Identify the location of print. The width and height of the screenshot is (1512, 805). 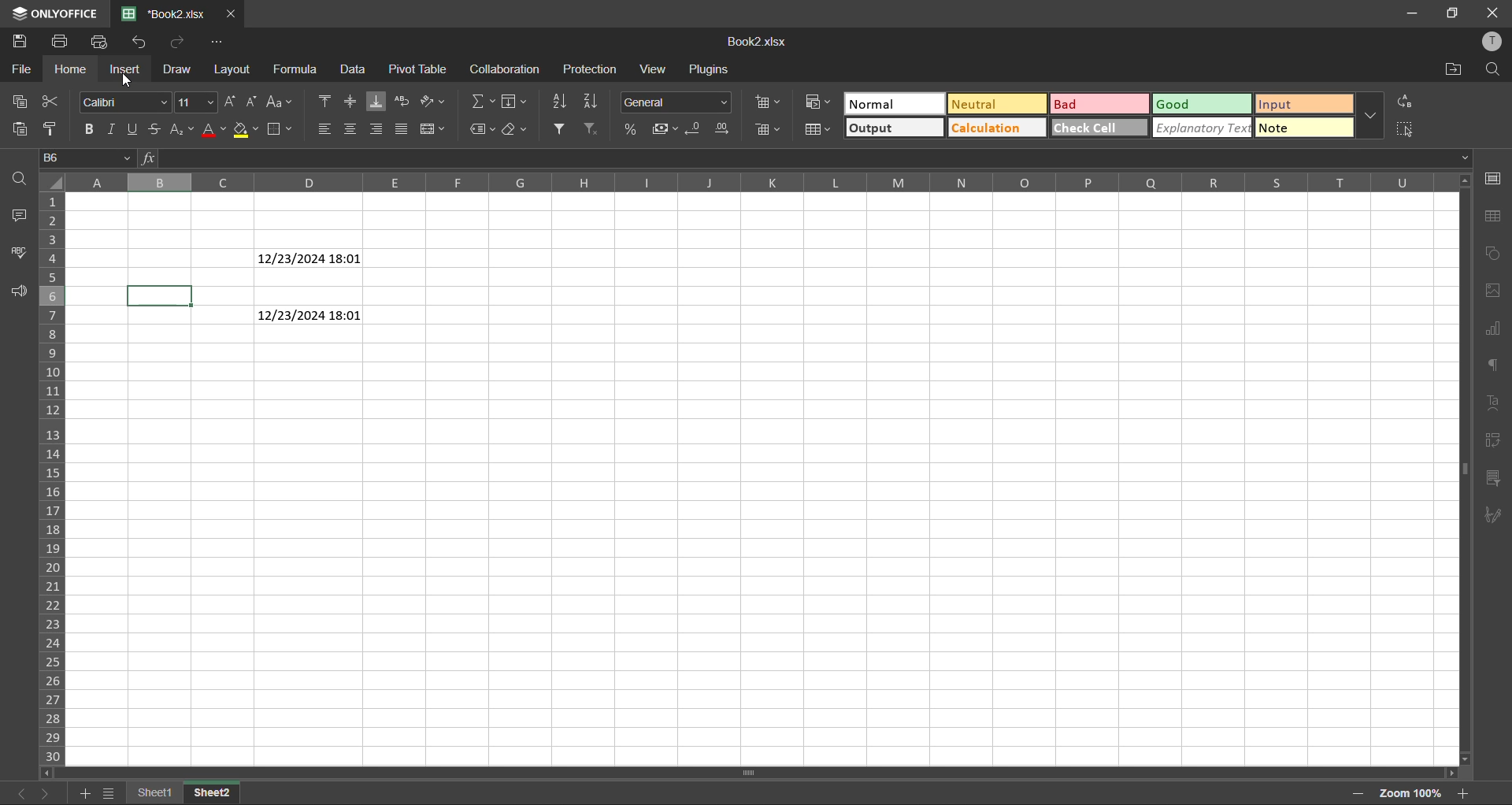
(60, 44).